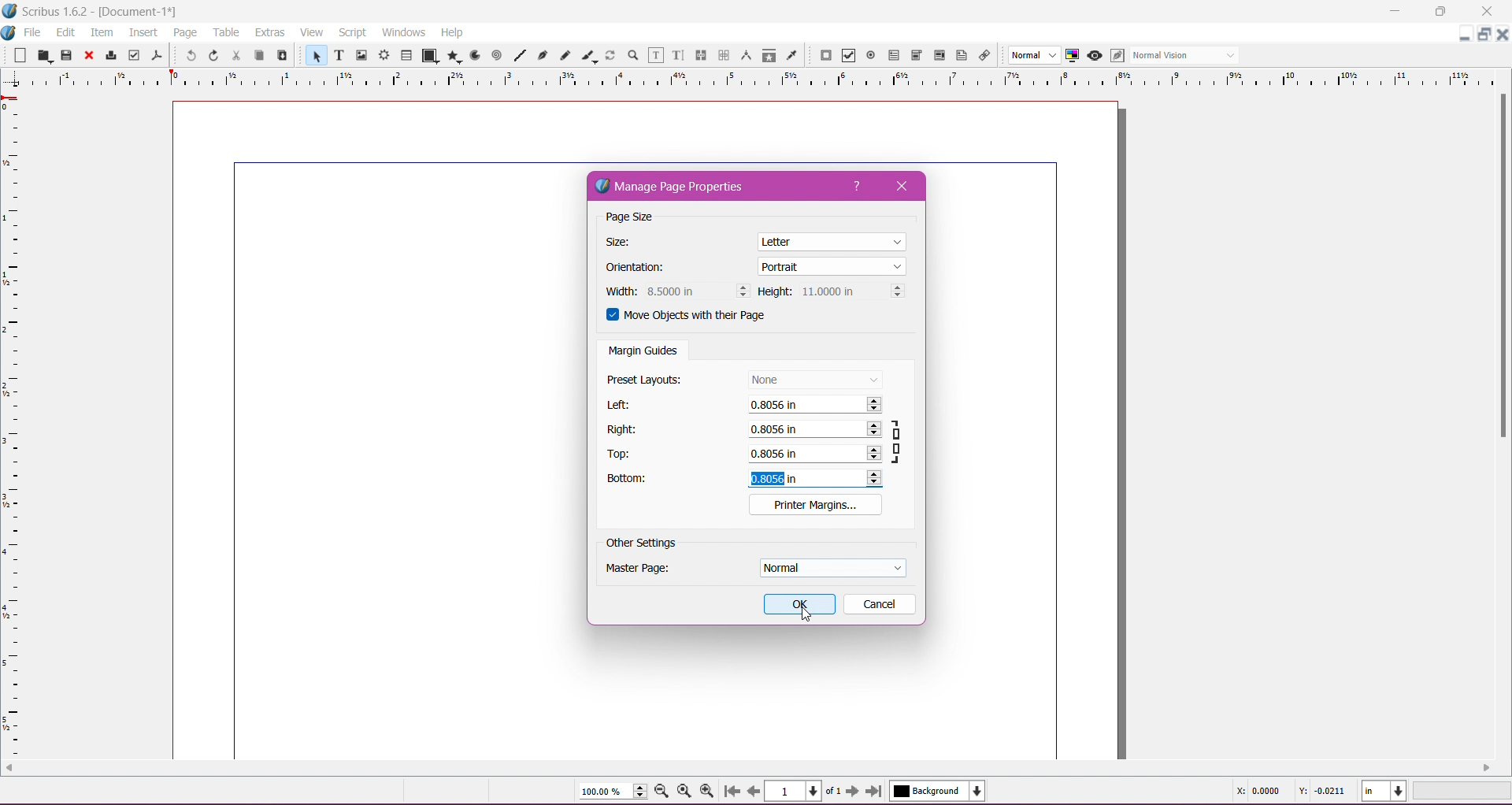  What do you see at coordinates (643, 269) in the screenshot?
I see `Orientation` at bounding box center [643, 269].